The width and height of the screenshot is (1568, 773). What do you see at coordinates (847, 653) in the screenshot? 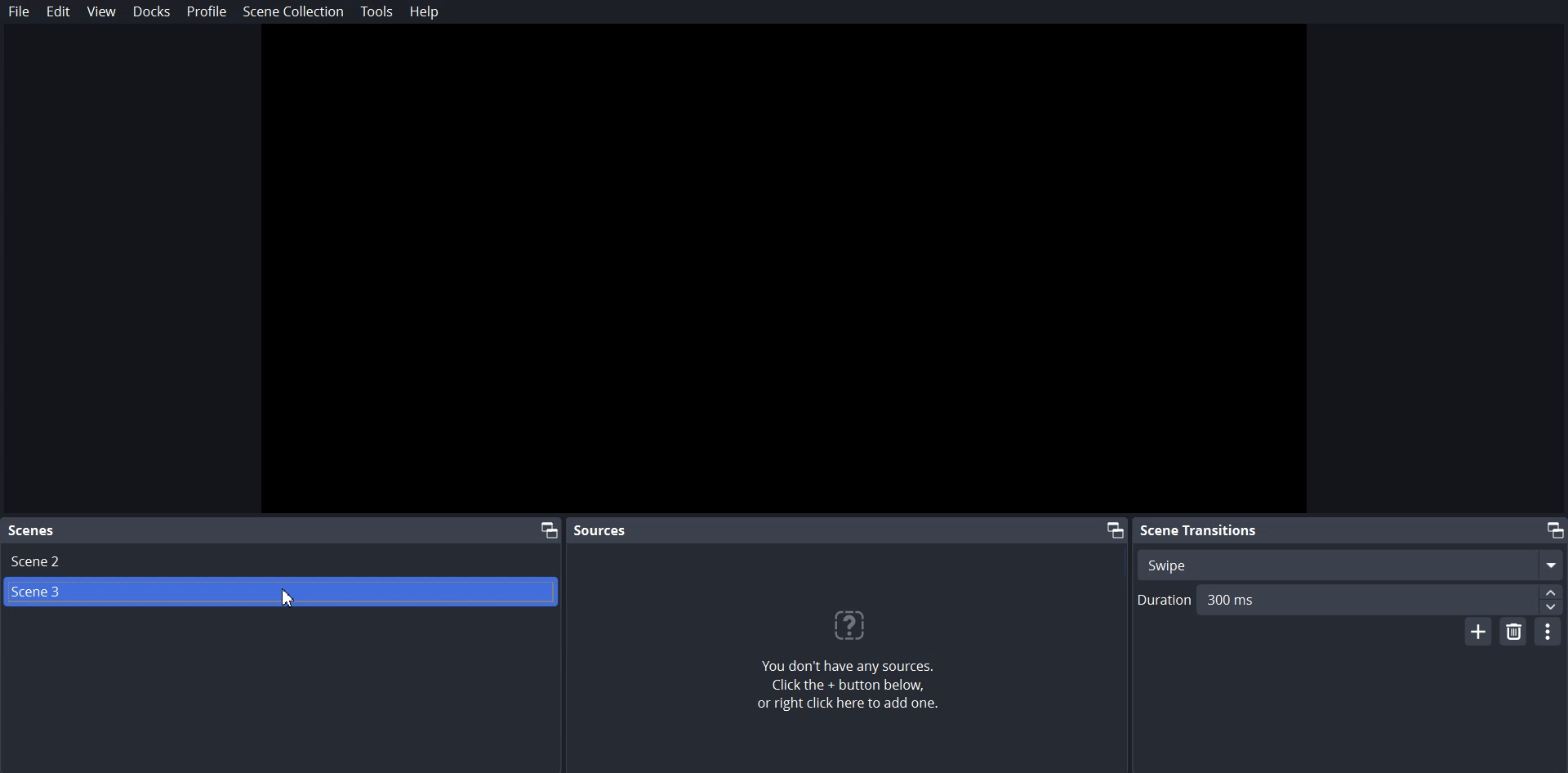
I see `You don't have any sources, Click the + button below, or right click here to add one` at bounding box center [847, 653].